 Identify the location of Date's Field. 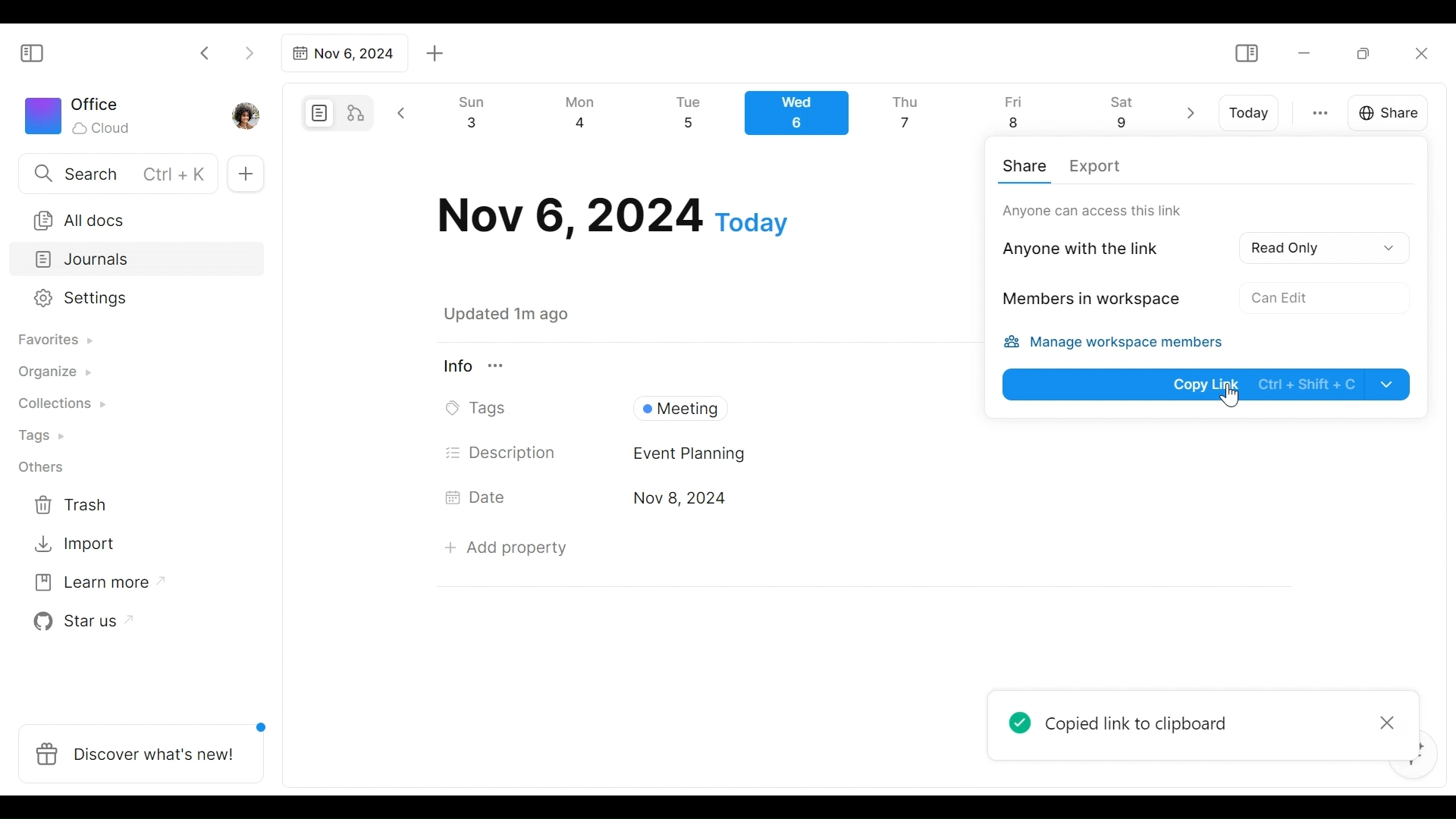
(954, 500).